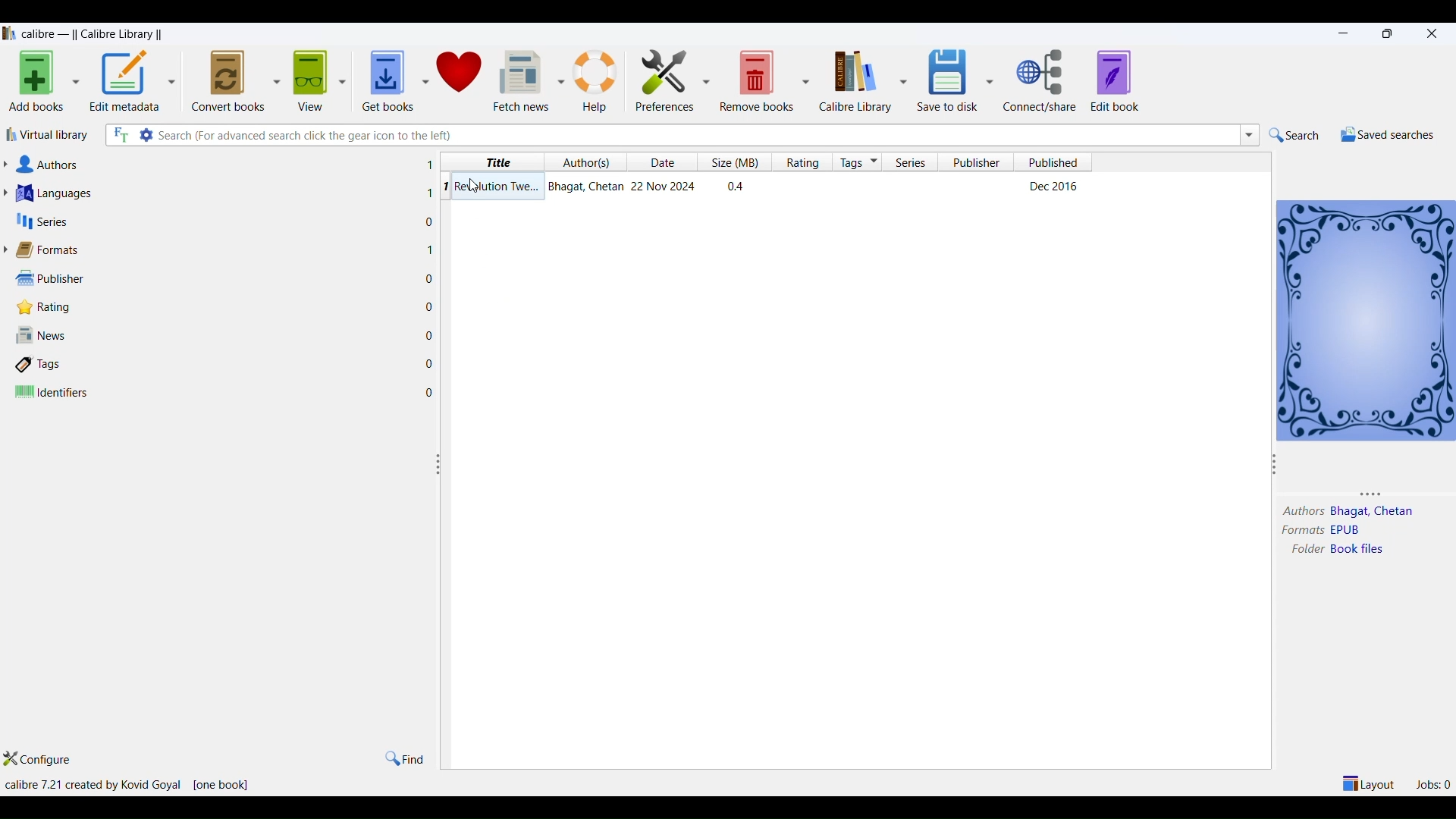 Image resolution: width=1456 pixels, height=819 pixels. I want to click on 0, so click(431, 363).